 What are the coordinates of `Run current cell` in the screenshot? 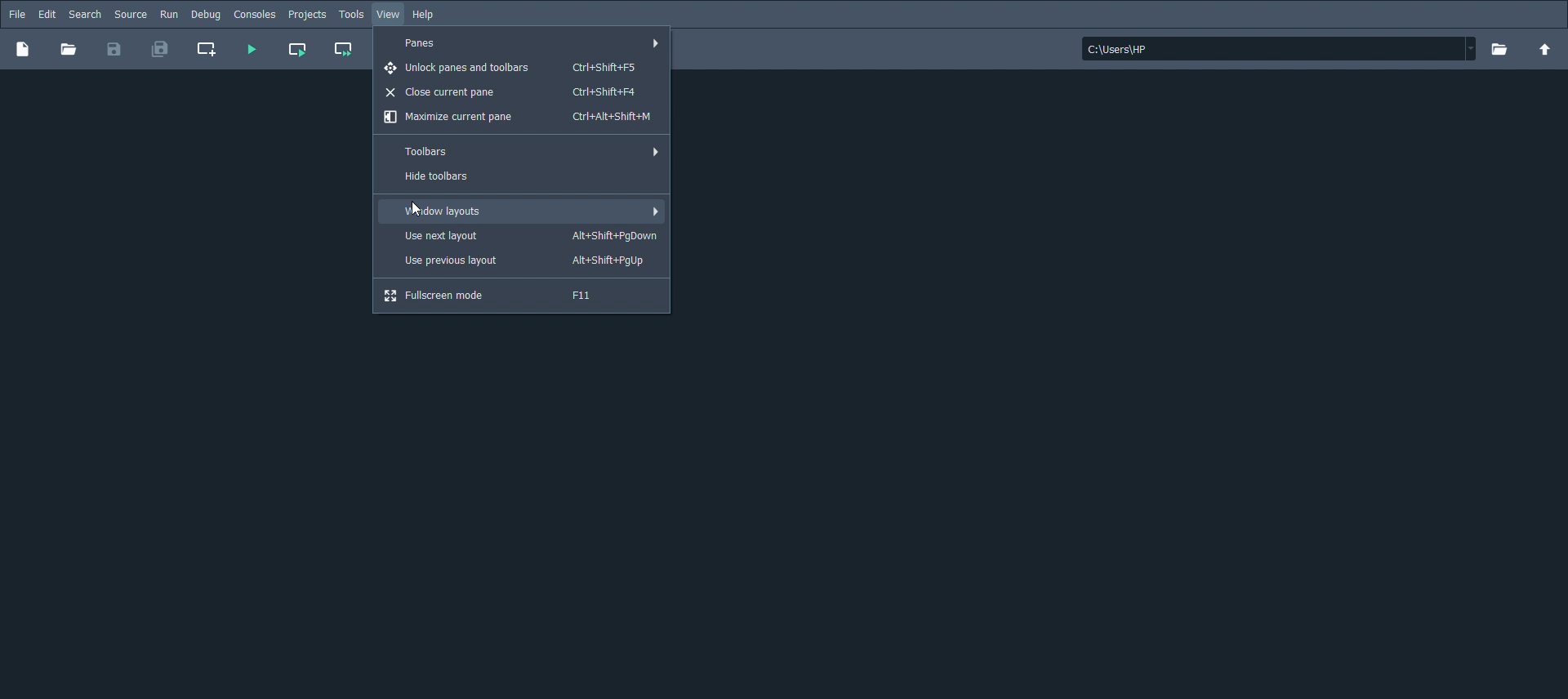 It's located at (298, 48).